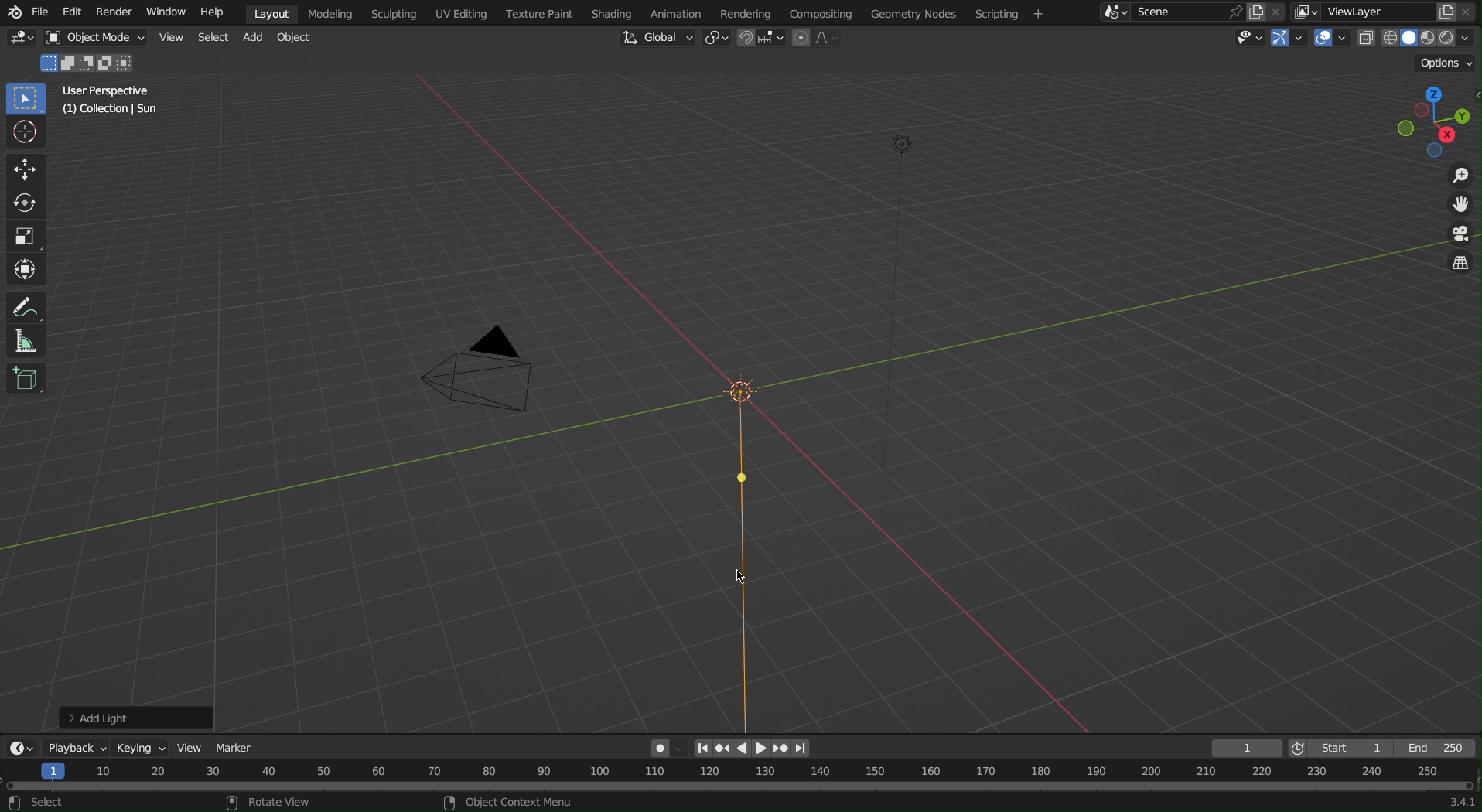  I want to click on previous, so click(702, 749).